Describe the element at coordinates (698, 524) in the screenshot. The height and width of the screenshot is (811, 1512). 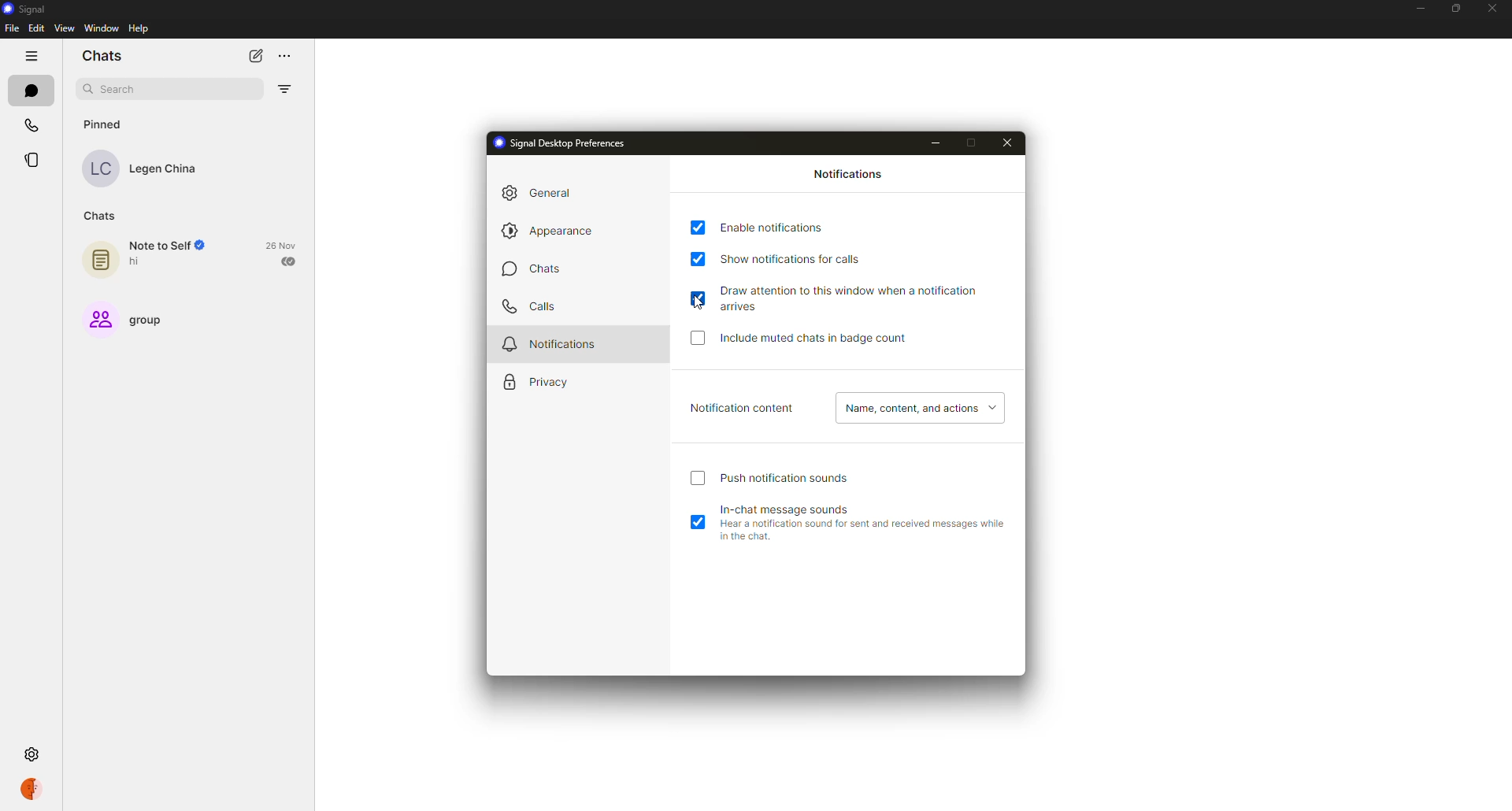
I see `enabled` at that location.